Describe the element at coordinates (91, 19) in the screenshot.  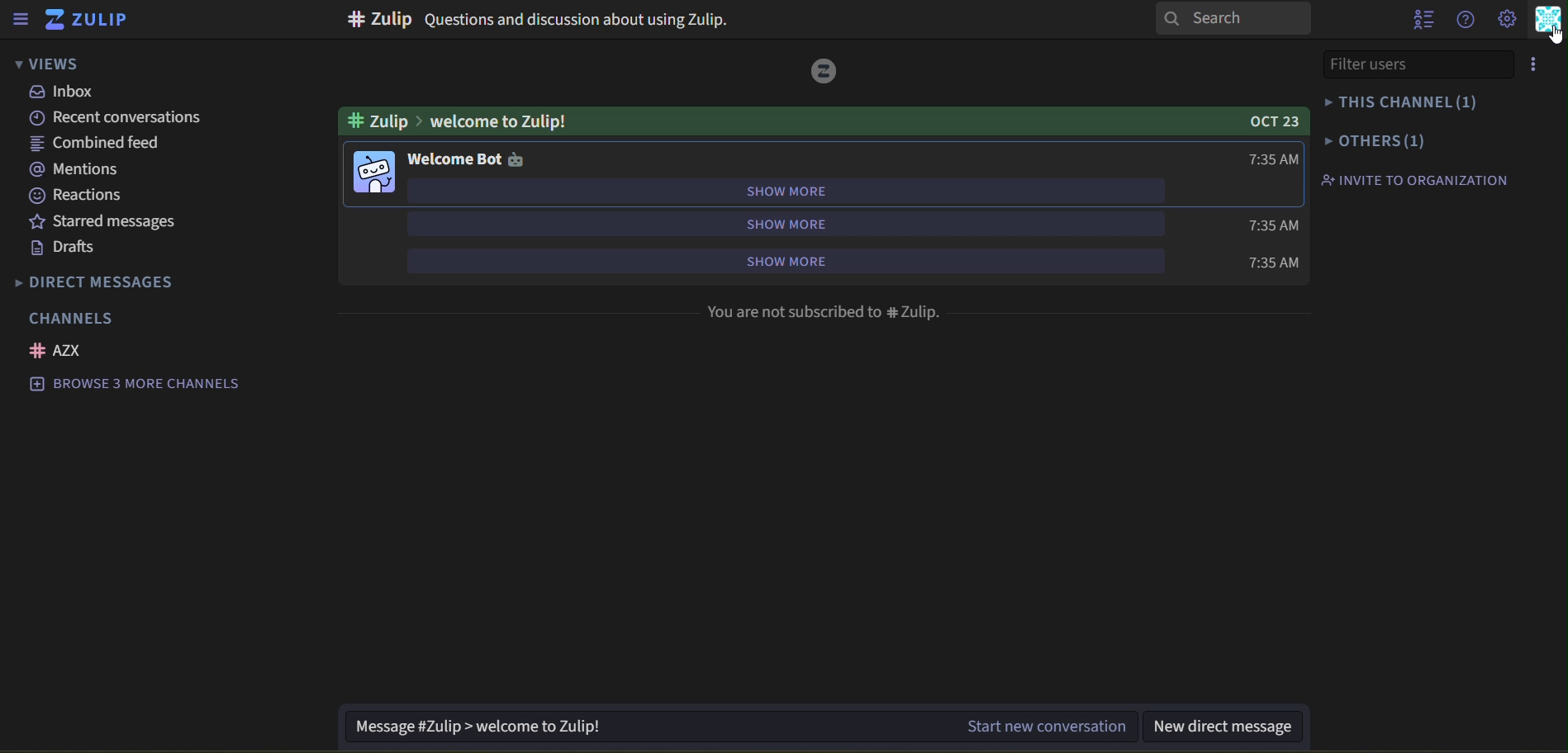
I see `zulip` at that location.